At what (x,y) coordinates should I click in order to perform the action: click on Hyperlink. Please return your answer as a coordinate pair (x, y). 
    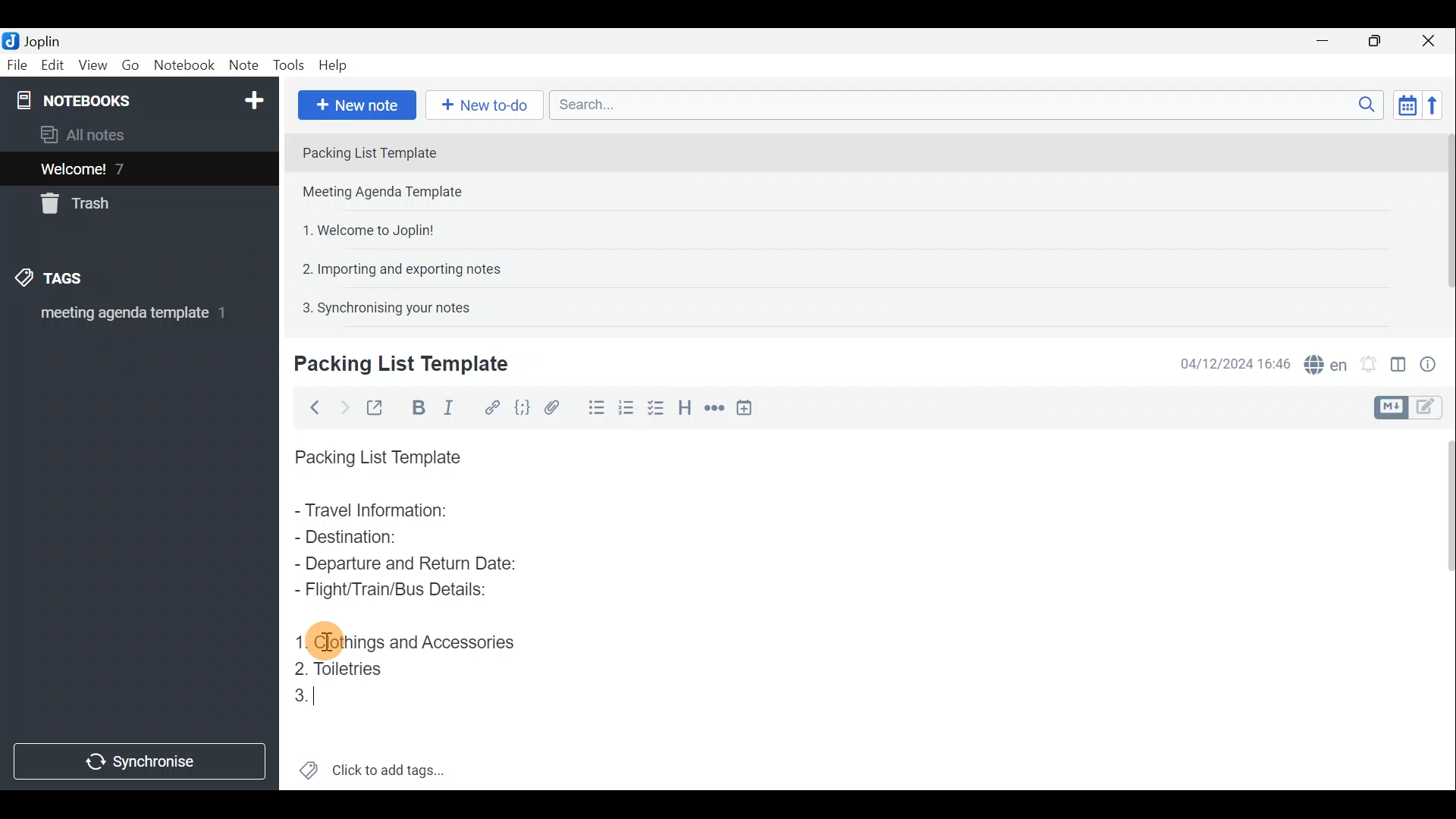
    Looking at the image, I should click on (489, 406).